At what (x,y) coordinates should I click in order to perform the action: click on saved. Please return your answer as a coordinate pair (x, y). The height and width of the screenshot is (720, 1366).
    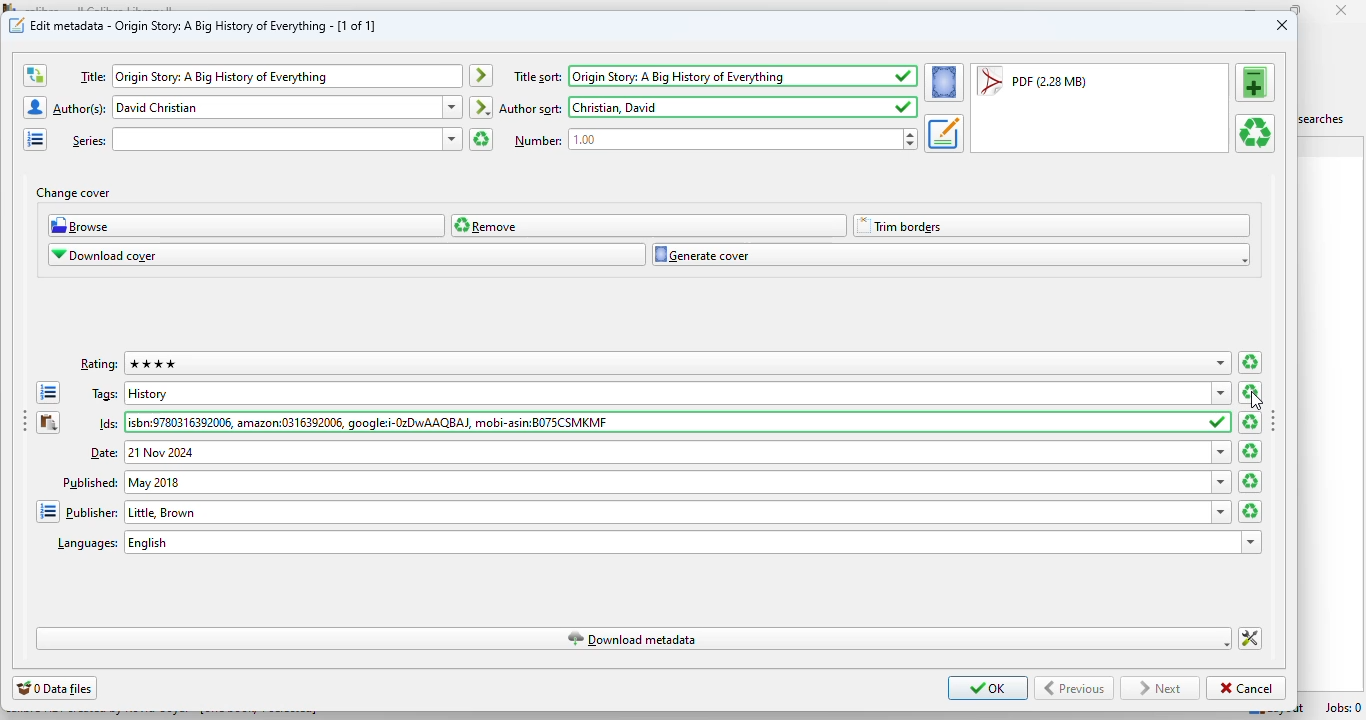
    Looking at the image, I should click on (904, 107).